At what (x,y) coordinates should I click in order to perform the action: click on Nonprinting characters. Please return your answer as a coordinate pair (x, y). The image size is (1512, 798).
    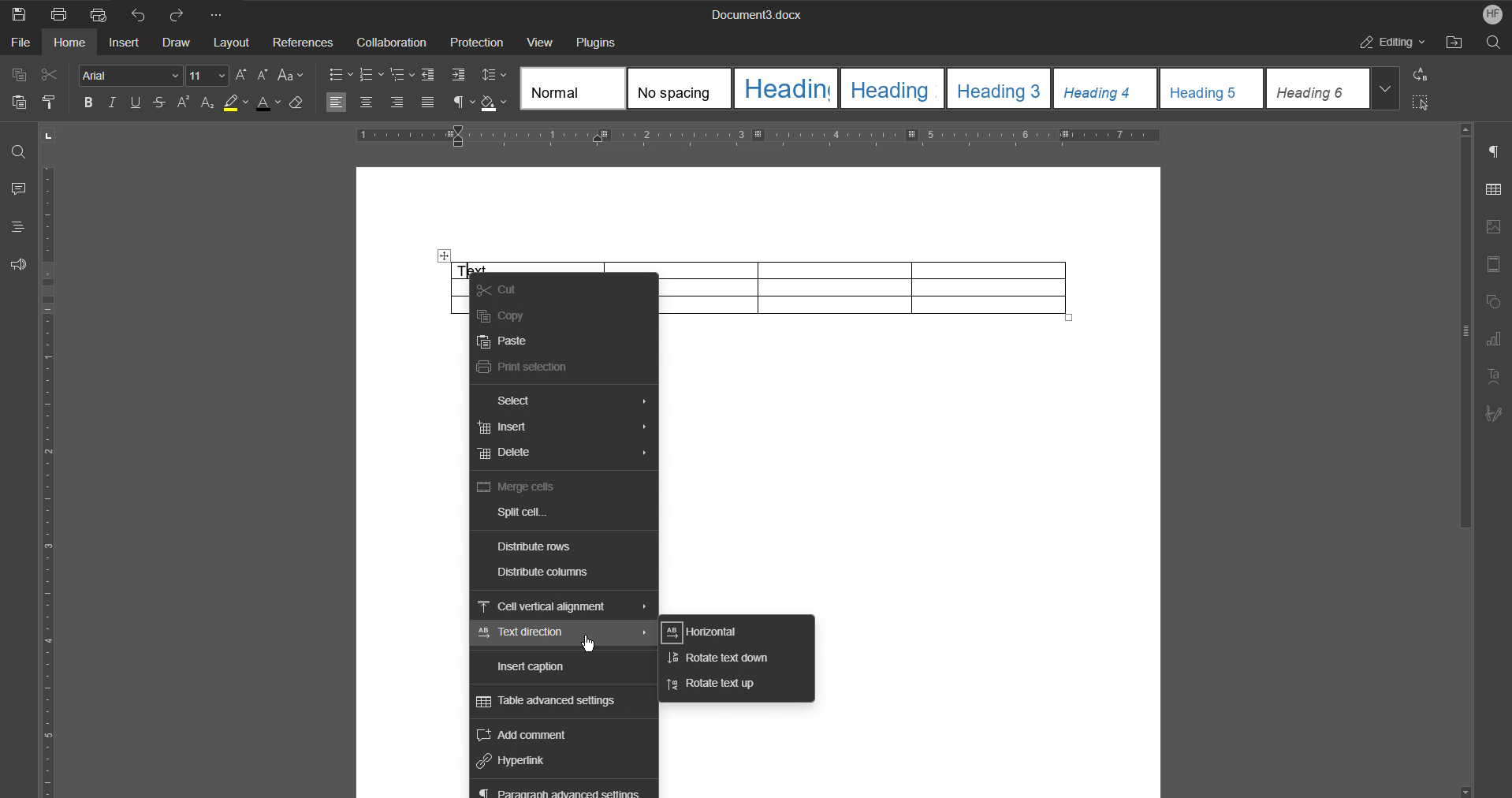
    Looking at the image, I should click on (460, 103).